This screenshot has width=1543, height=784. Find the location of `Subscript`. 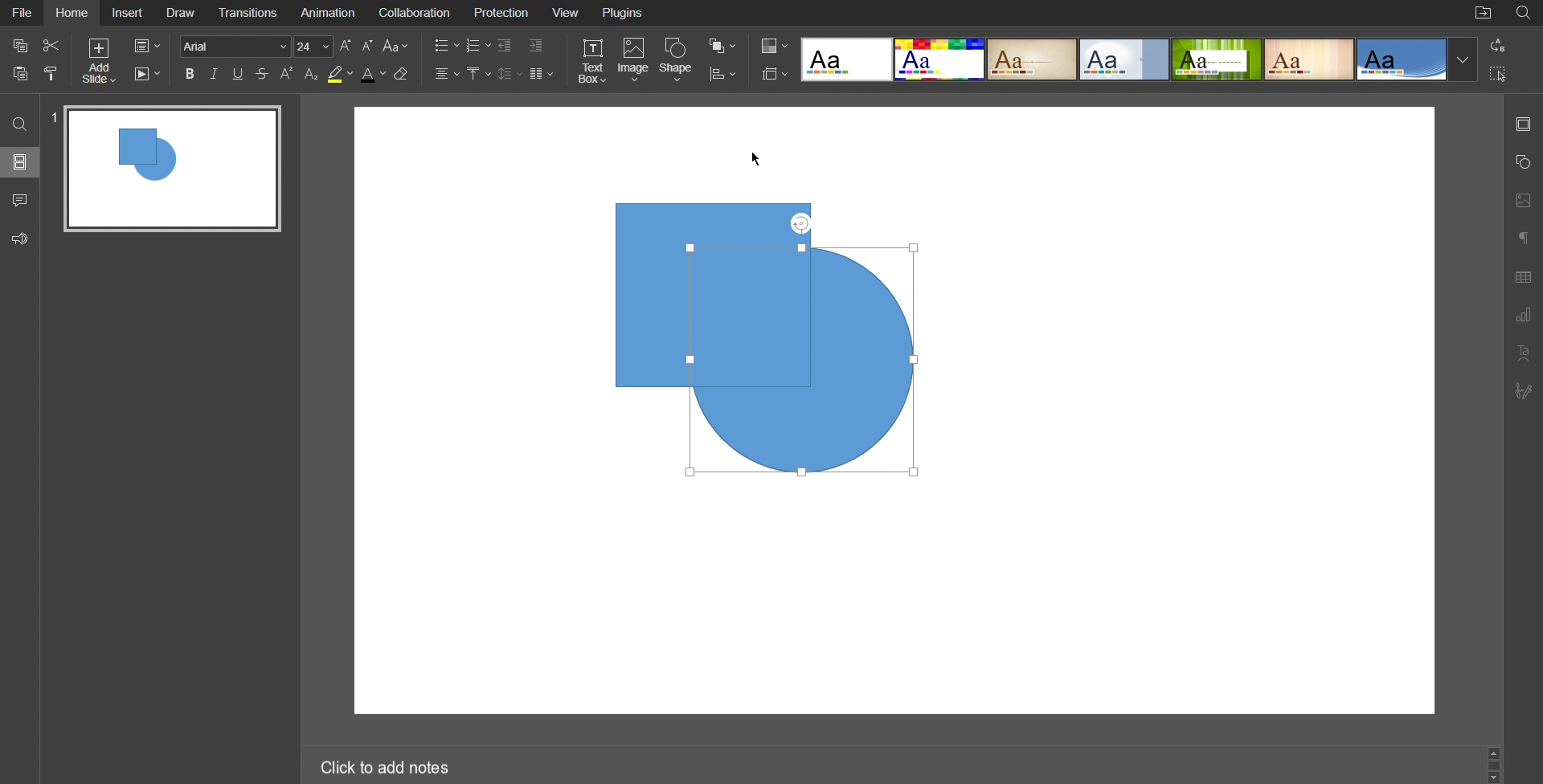

Subscript is located at coordinates (313, 75).